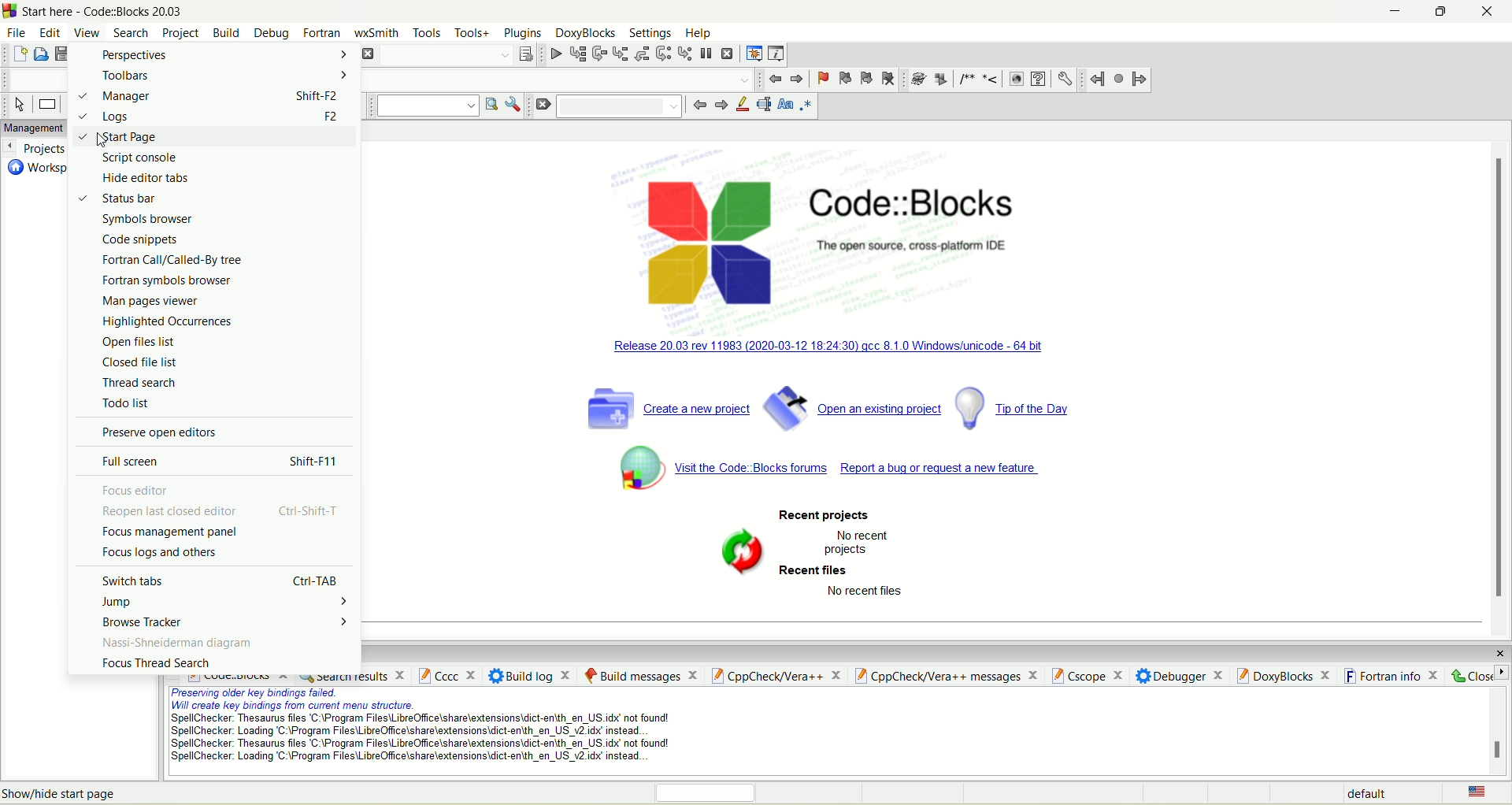 The image size is (1512, 805). I want to click on search, so click(132, 34).